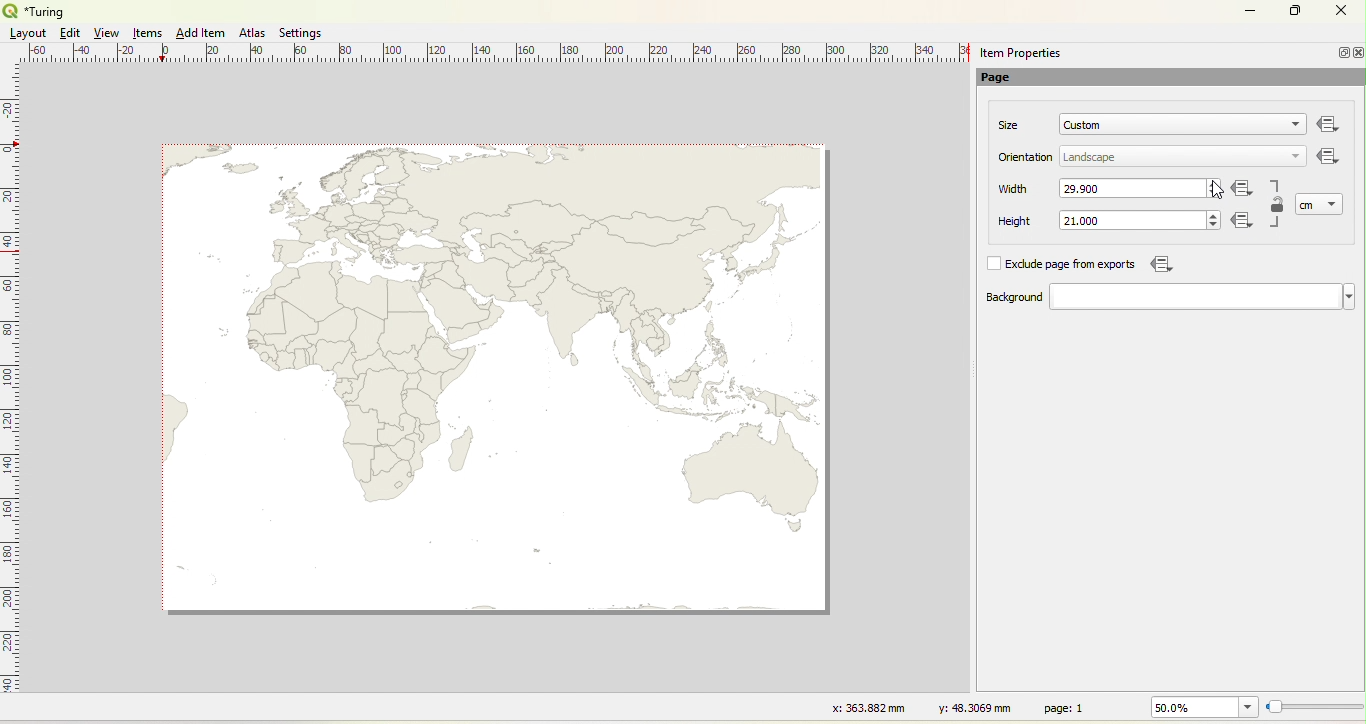 The height and width of the screenshot is (724, 1366). Describe the element at coordinates (1278, 206) in the screenshot. I see `Lock/Unlock` at that location.